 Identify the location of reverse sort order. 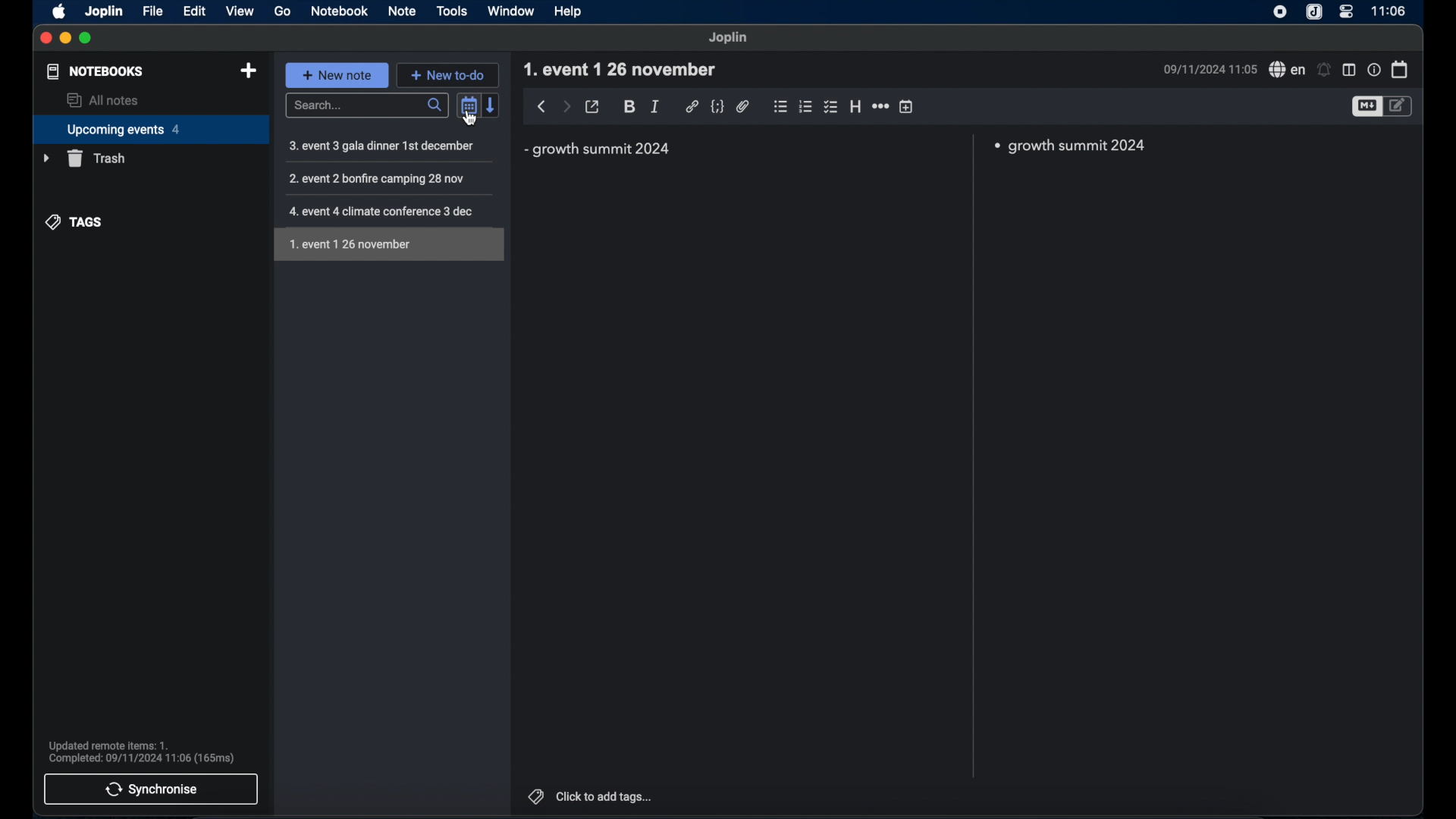
(492, 105).